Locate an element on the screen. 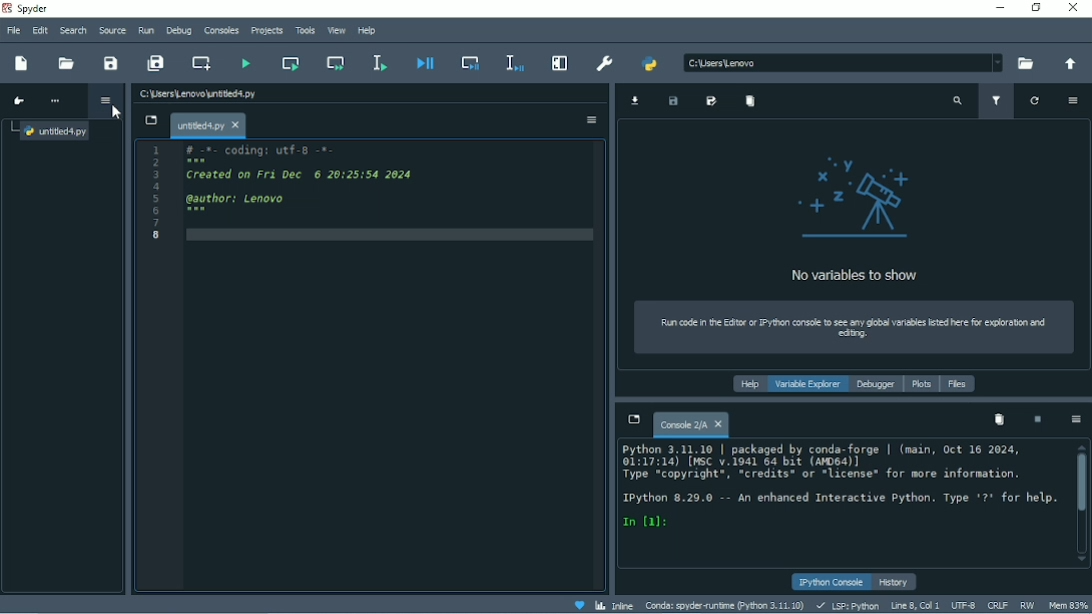 This screenshot has height=614, width=1092. Open file is located at coordinates (66, 64).